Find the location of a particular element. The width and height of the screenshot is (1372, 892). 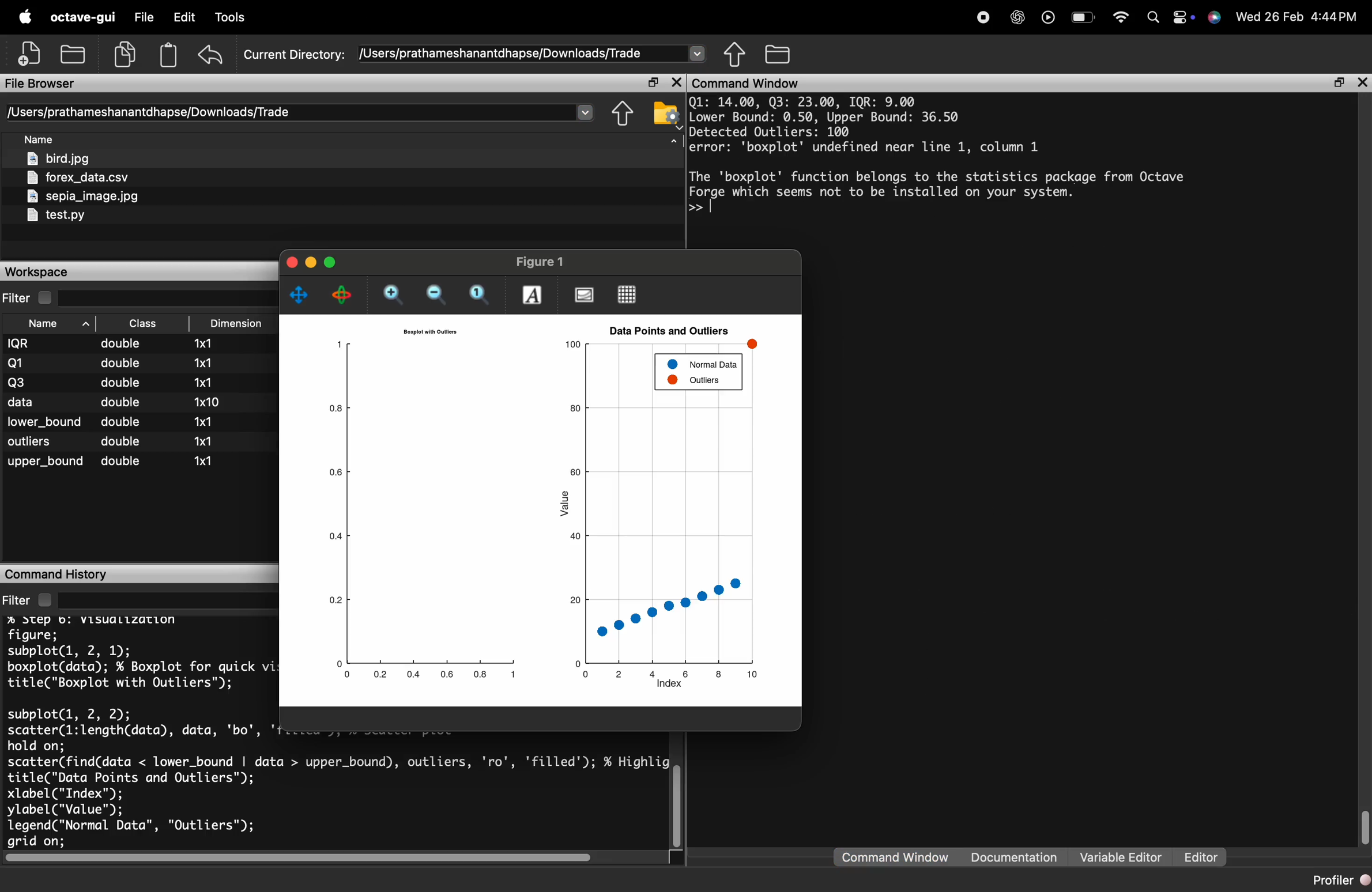

Current Directory: is located at coordinates (296, 56).